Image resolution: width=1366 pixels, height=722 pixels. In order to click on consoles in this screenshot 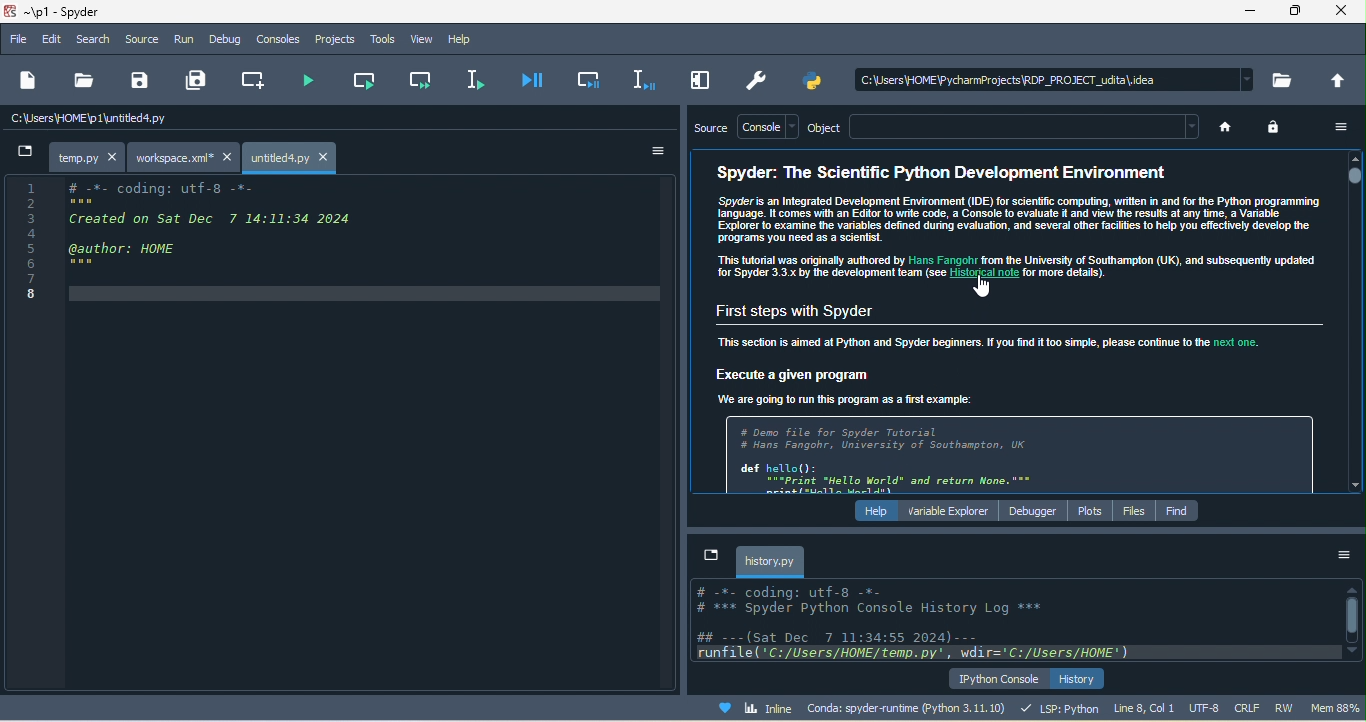, I will do `click(279, 40)`.